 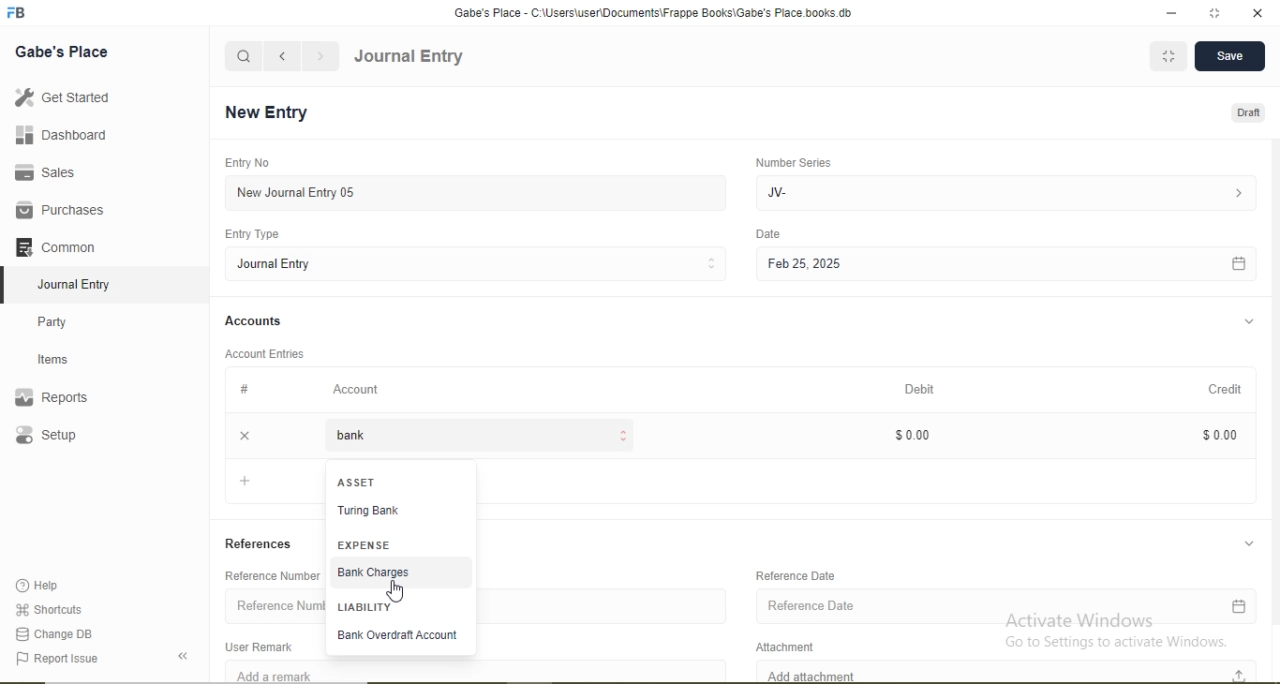 I want to click on Common, so click(x=60, y=245).